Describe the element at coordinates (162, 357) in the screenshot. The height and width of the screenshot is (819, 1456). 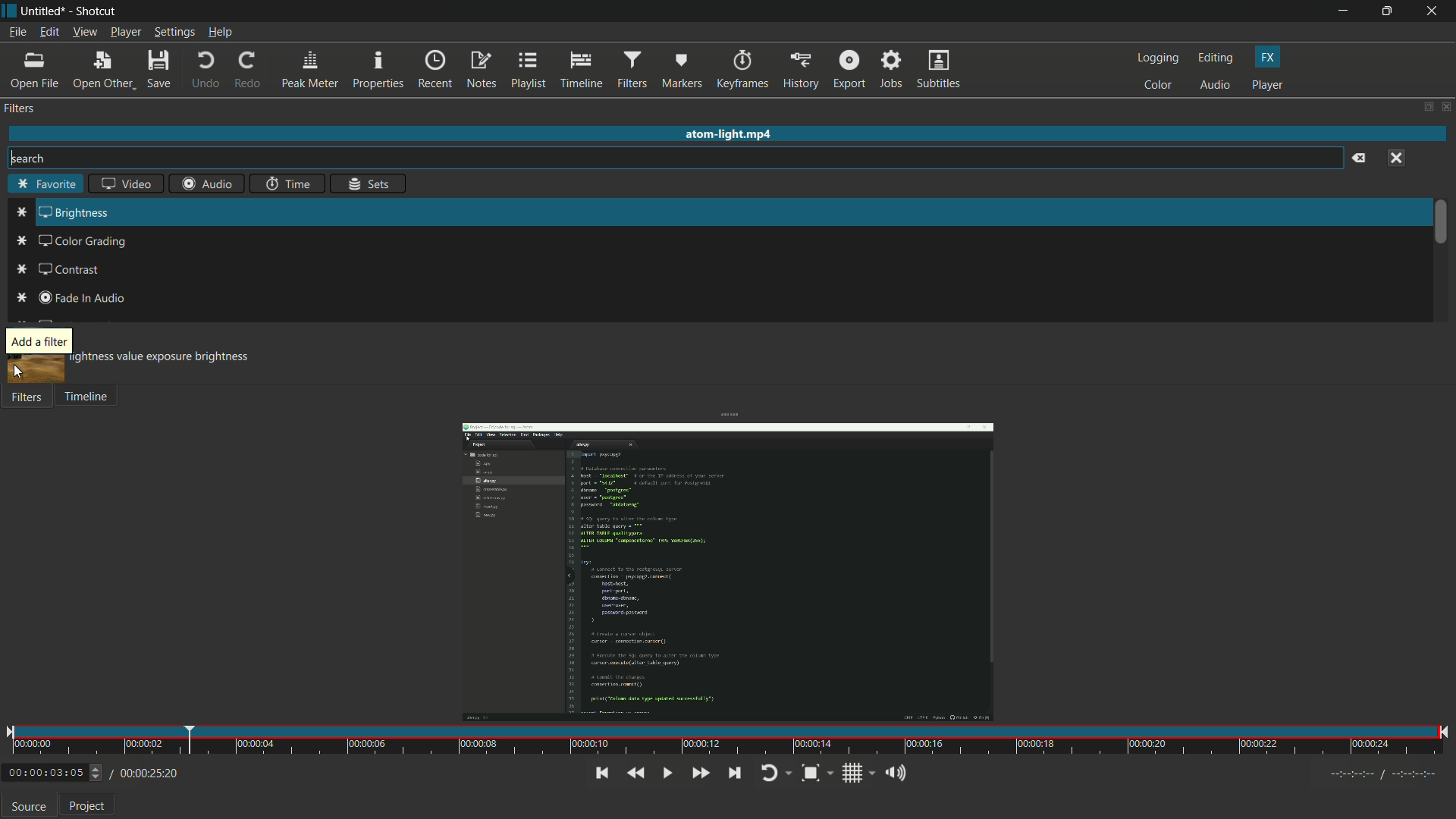
I see `text` at that location.